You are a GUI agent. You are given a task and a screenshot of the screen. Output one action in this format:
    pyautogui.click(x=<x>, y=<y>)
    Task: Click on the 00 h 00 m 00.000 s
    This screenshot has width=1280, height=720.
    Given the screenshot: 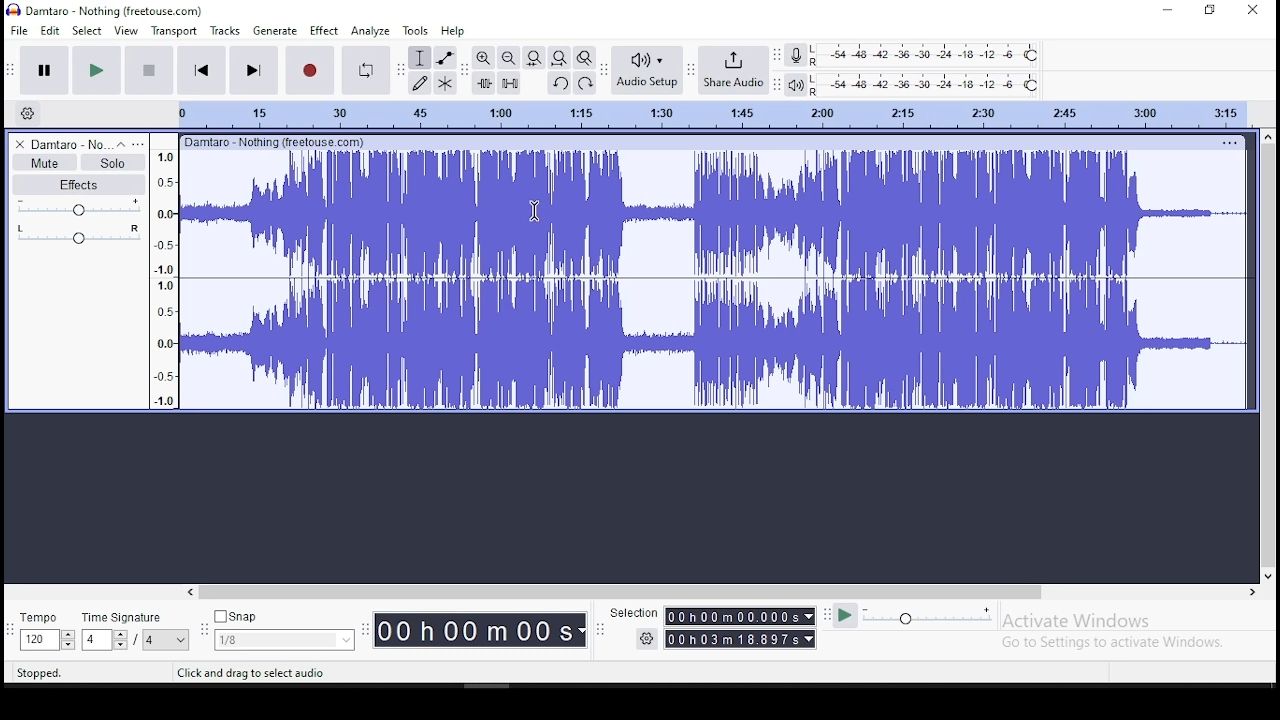 What is the action you would take?
    pyautogui.click(x=740, y=616)
    